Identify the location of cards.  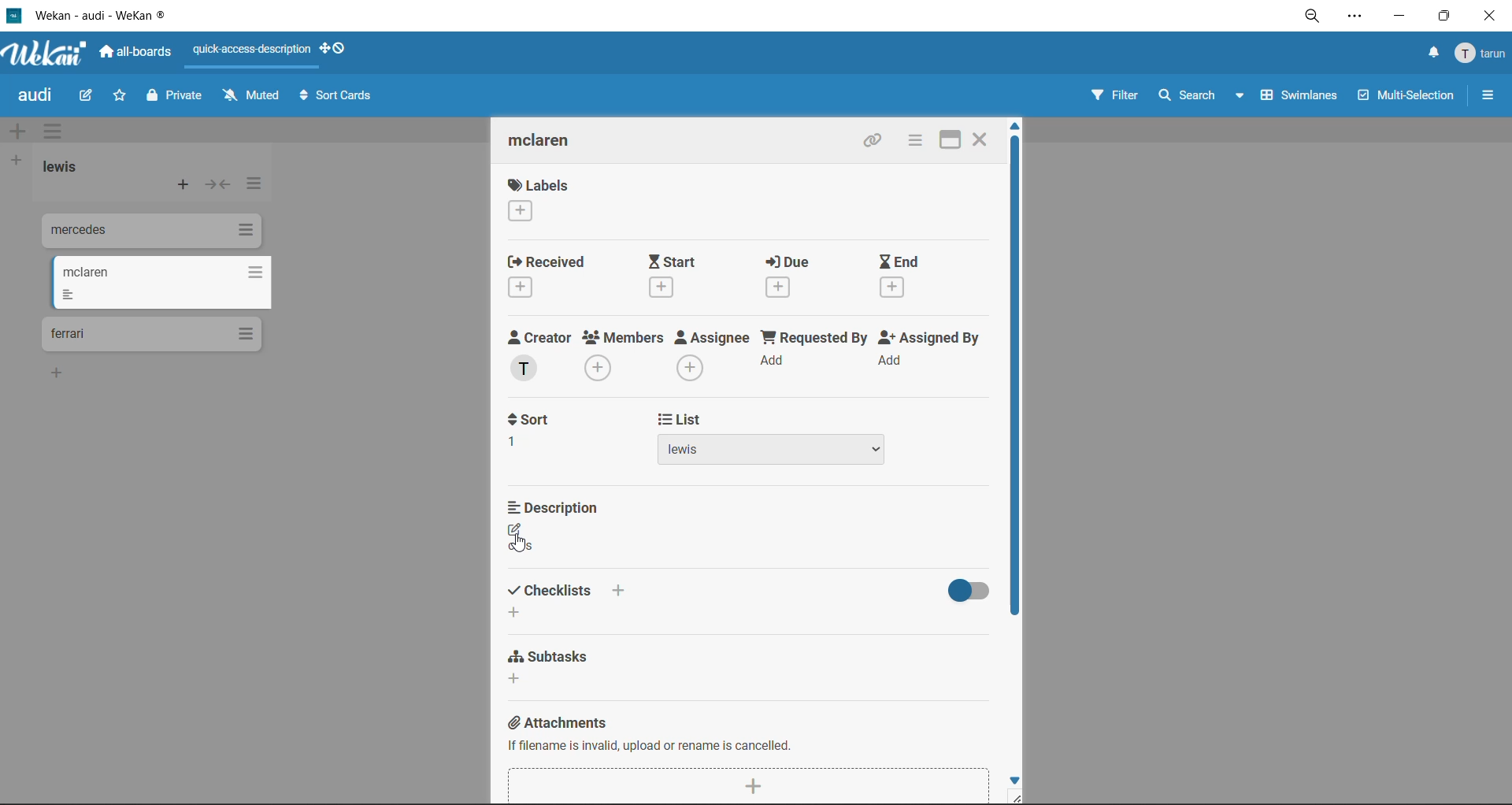
(149, 233).